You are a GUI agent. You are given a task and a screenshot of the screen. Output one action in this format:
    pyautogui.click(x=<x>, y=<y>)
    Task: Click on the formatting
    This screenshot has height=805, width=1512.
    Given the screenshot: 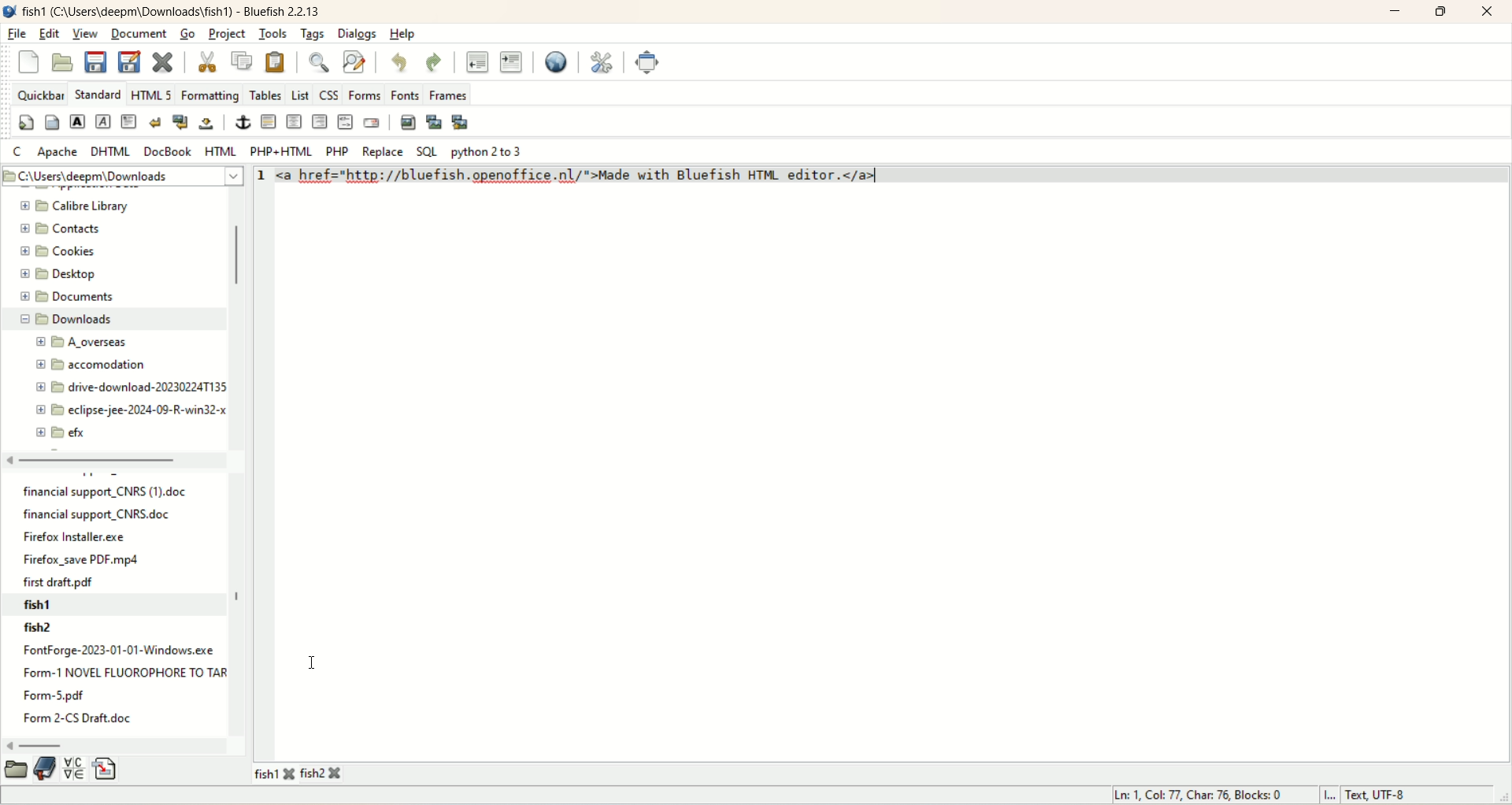 What is the action you would take?
    pyautogui.click(x=211, y=95)
    